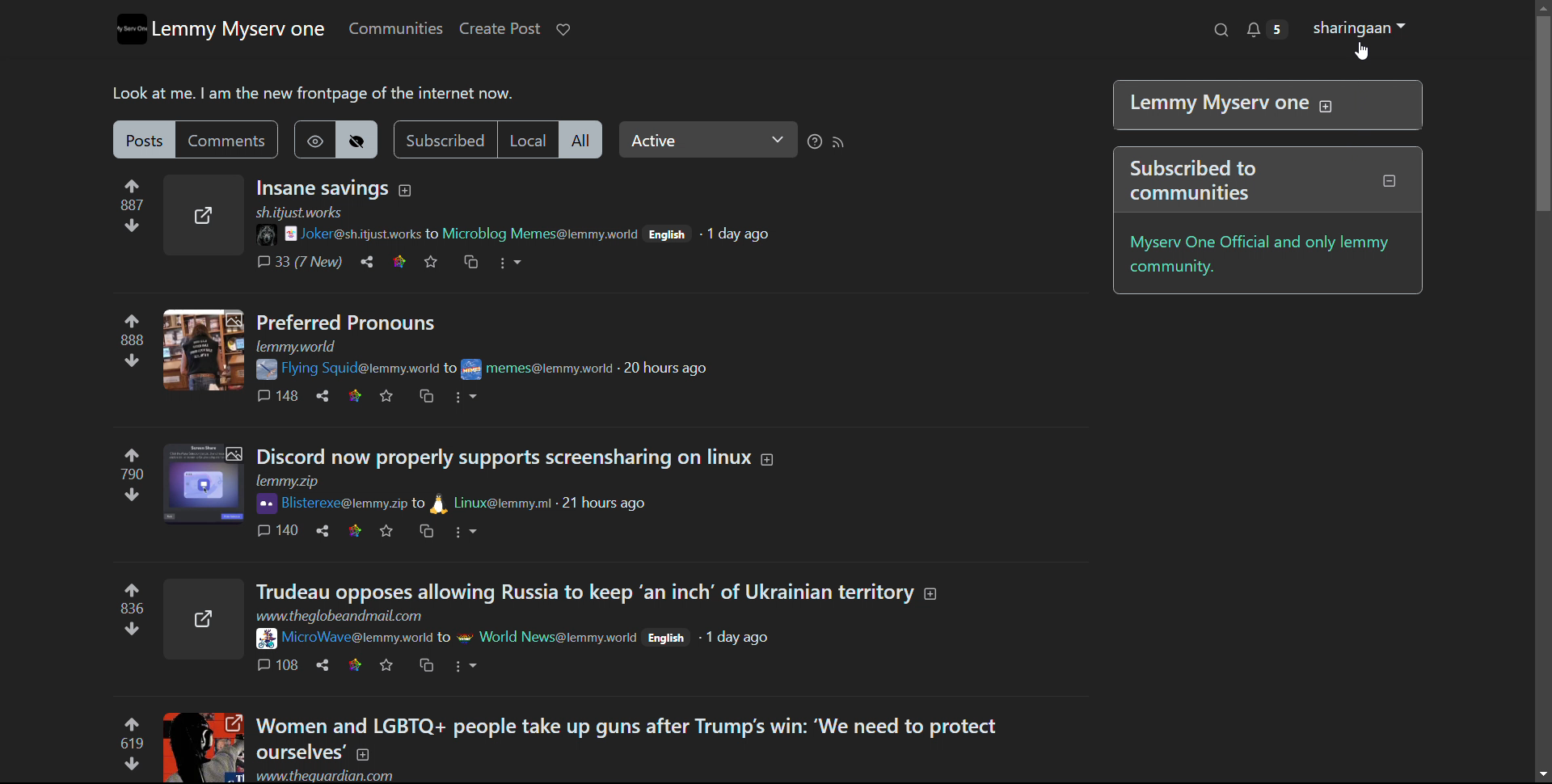 The height and width of the screenshot is (784, 1552). Describe the element at coordinates (141, 139) in the screenshot. I see `posts` at that location.